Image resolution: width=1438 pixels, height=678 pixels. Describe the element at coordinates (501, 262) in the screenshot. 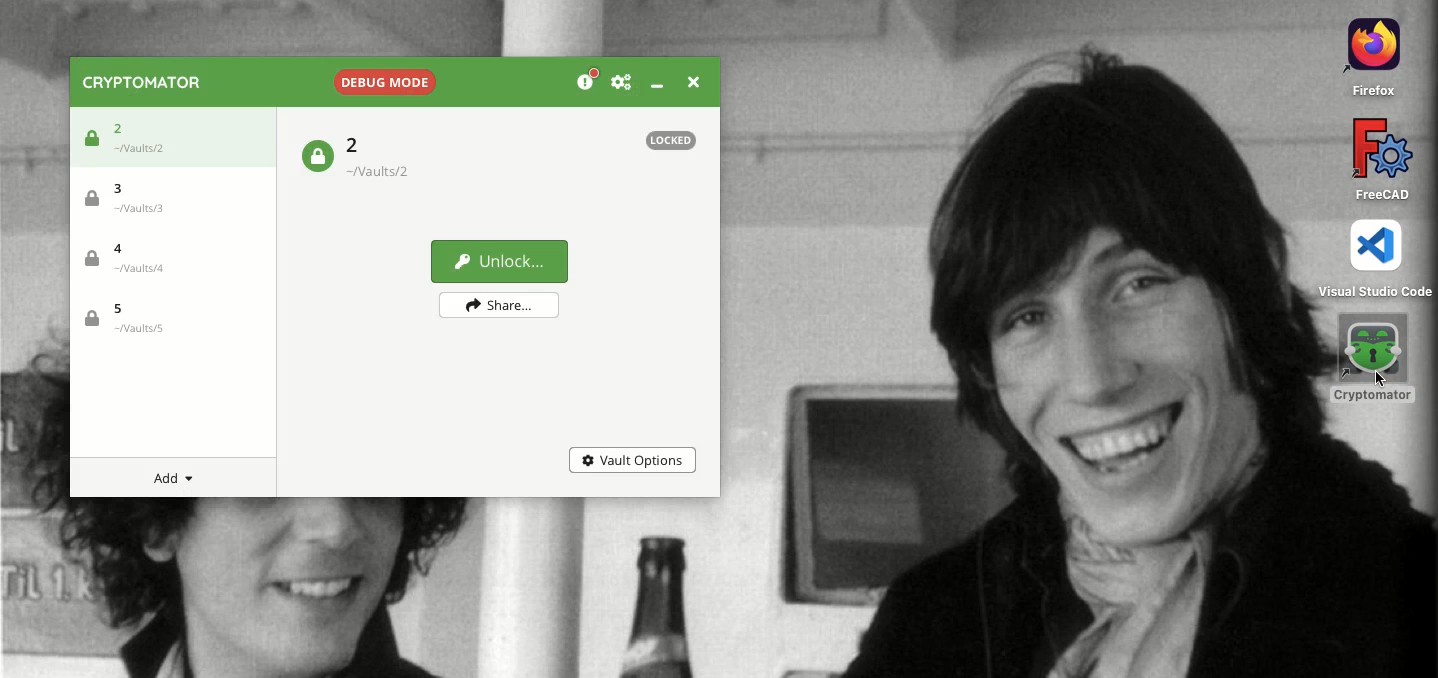

I see `Unlock` at that location.